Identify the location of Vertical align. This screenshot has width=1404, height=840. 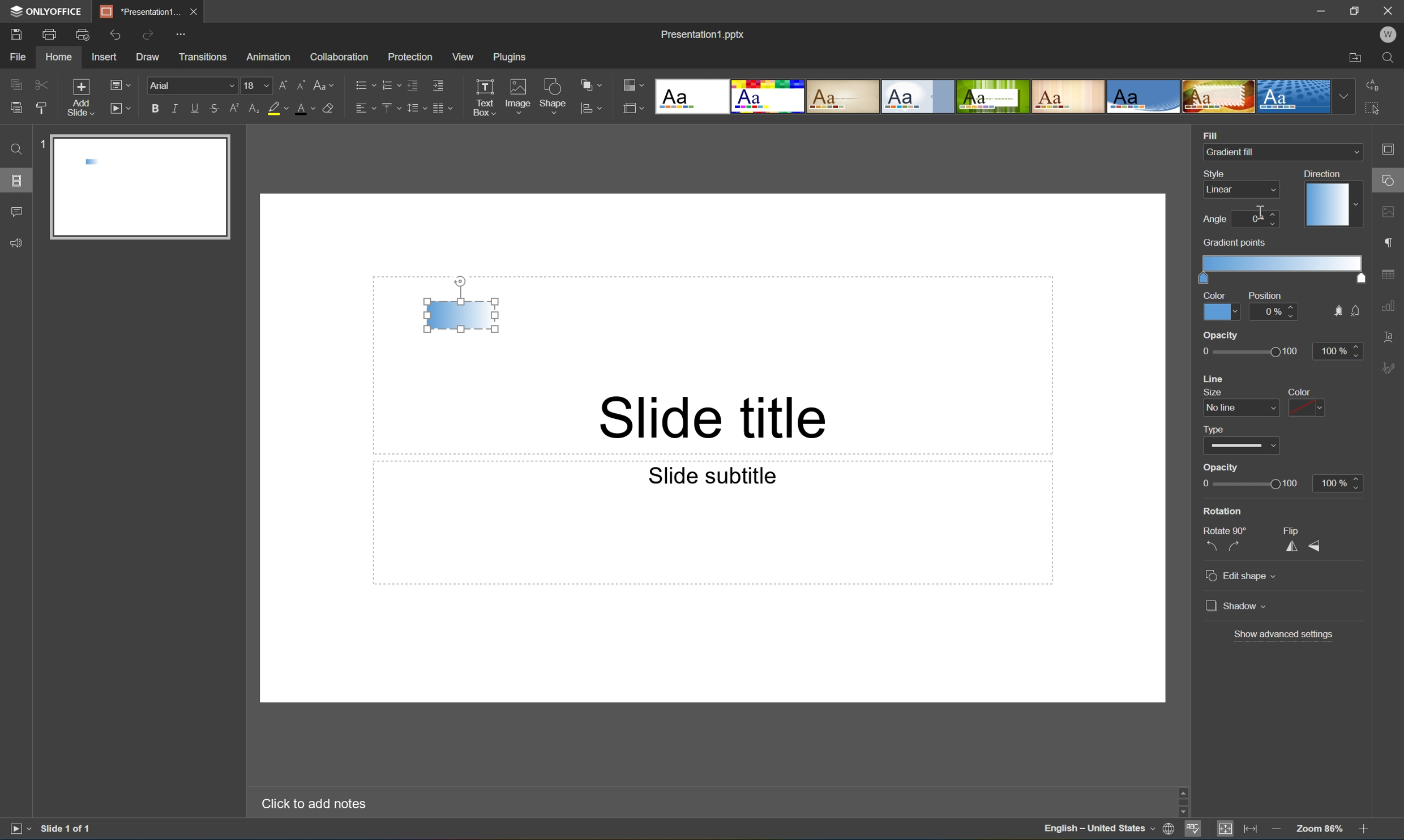
(389, 108).